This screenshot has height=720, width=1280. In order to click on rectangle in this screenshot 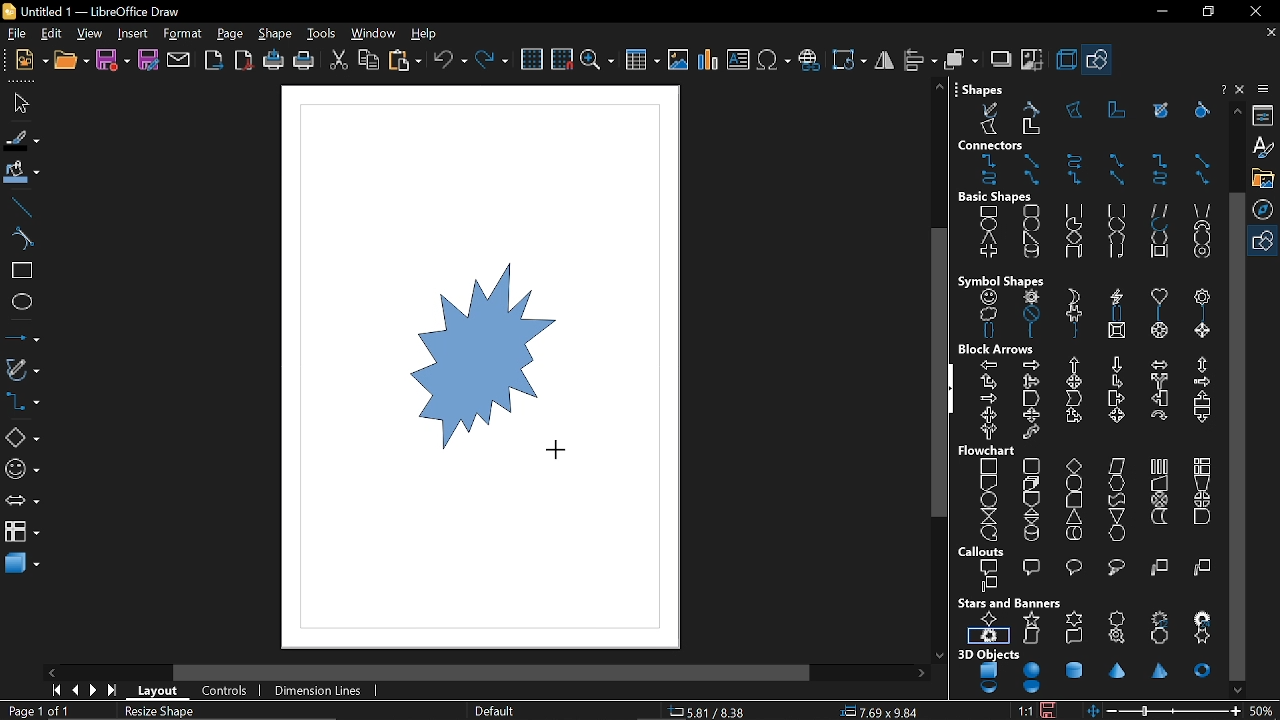, I will do `click(18, 271)`.